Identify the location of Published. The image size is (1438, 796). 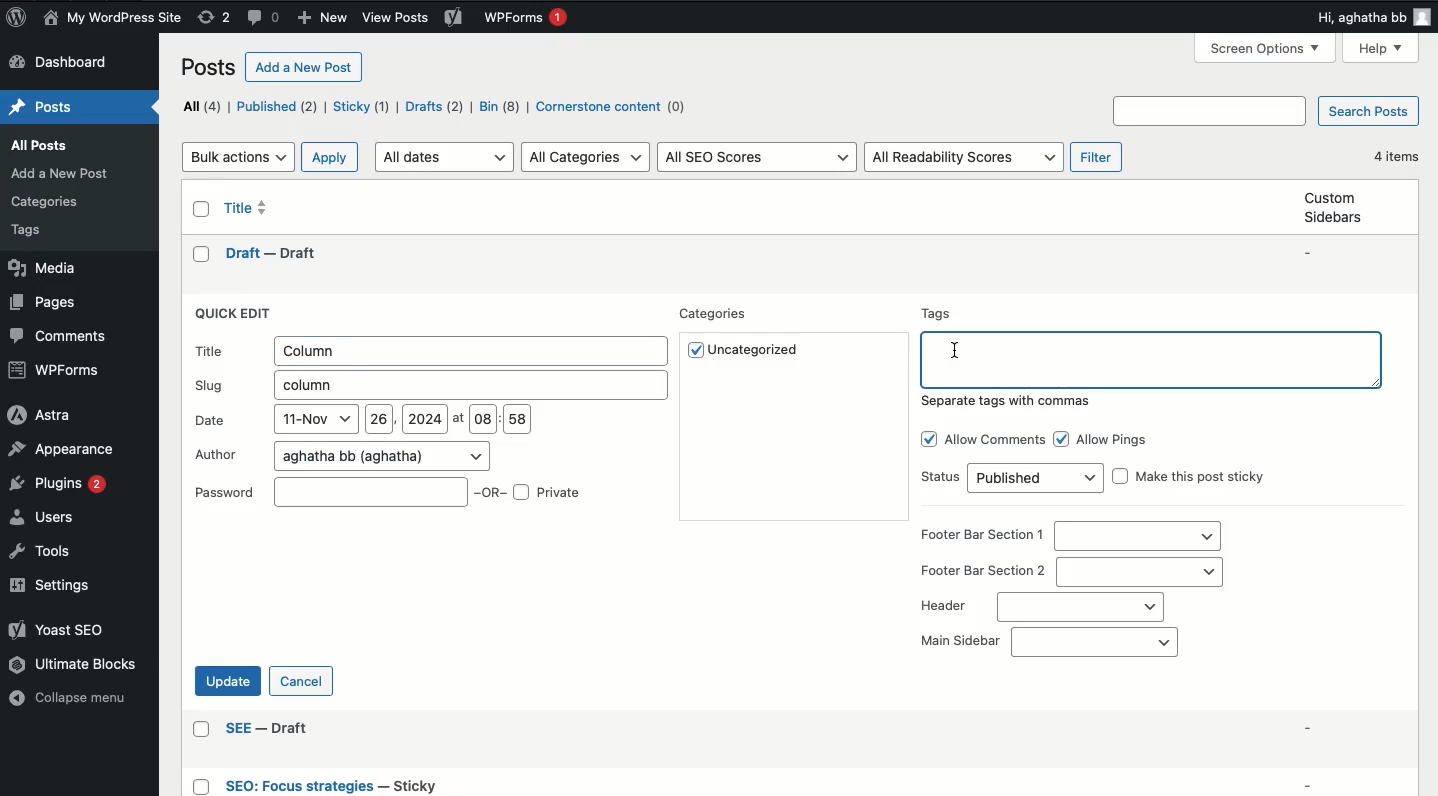
(278, 107).